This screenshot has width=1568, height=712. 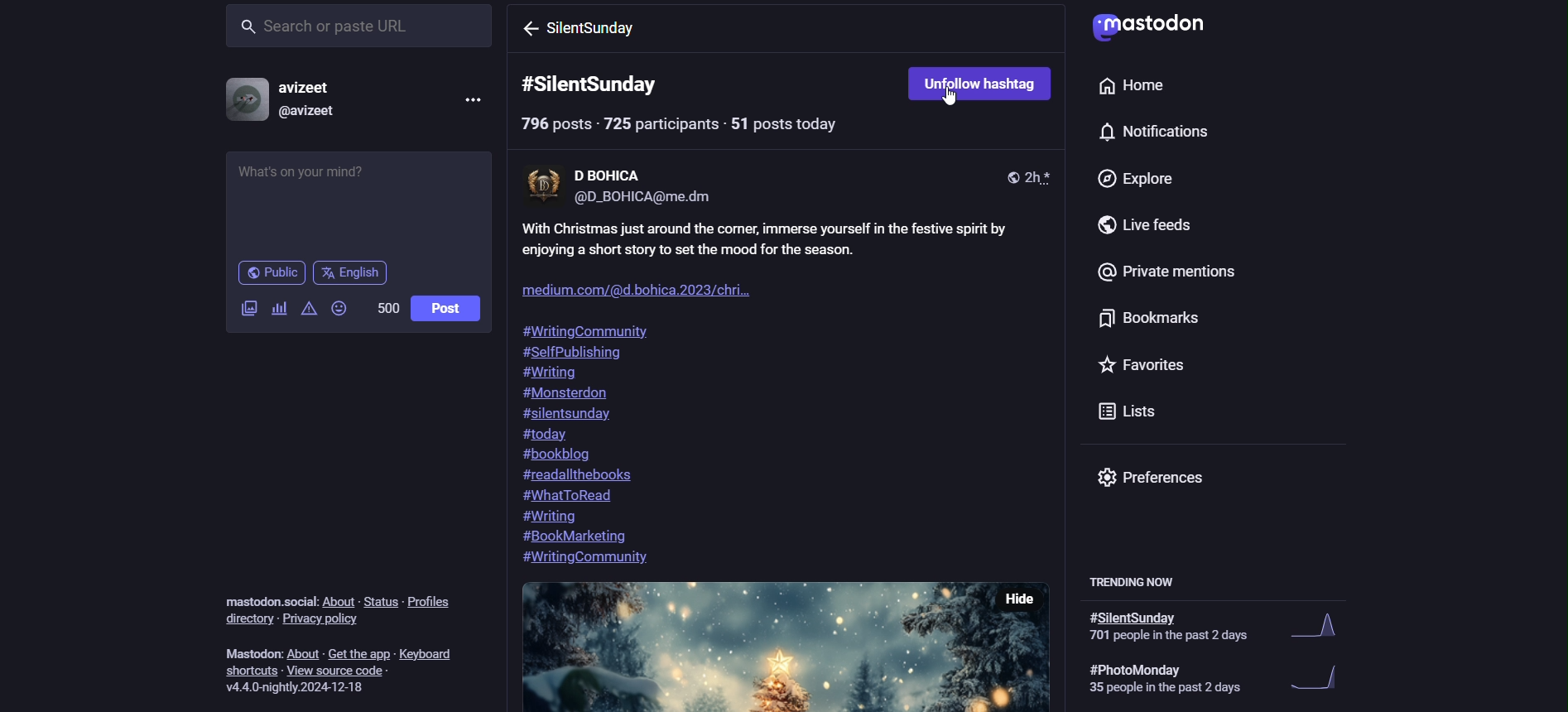 I want to click on directory, so click(x=246, y=619).